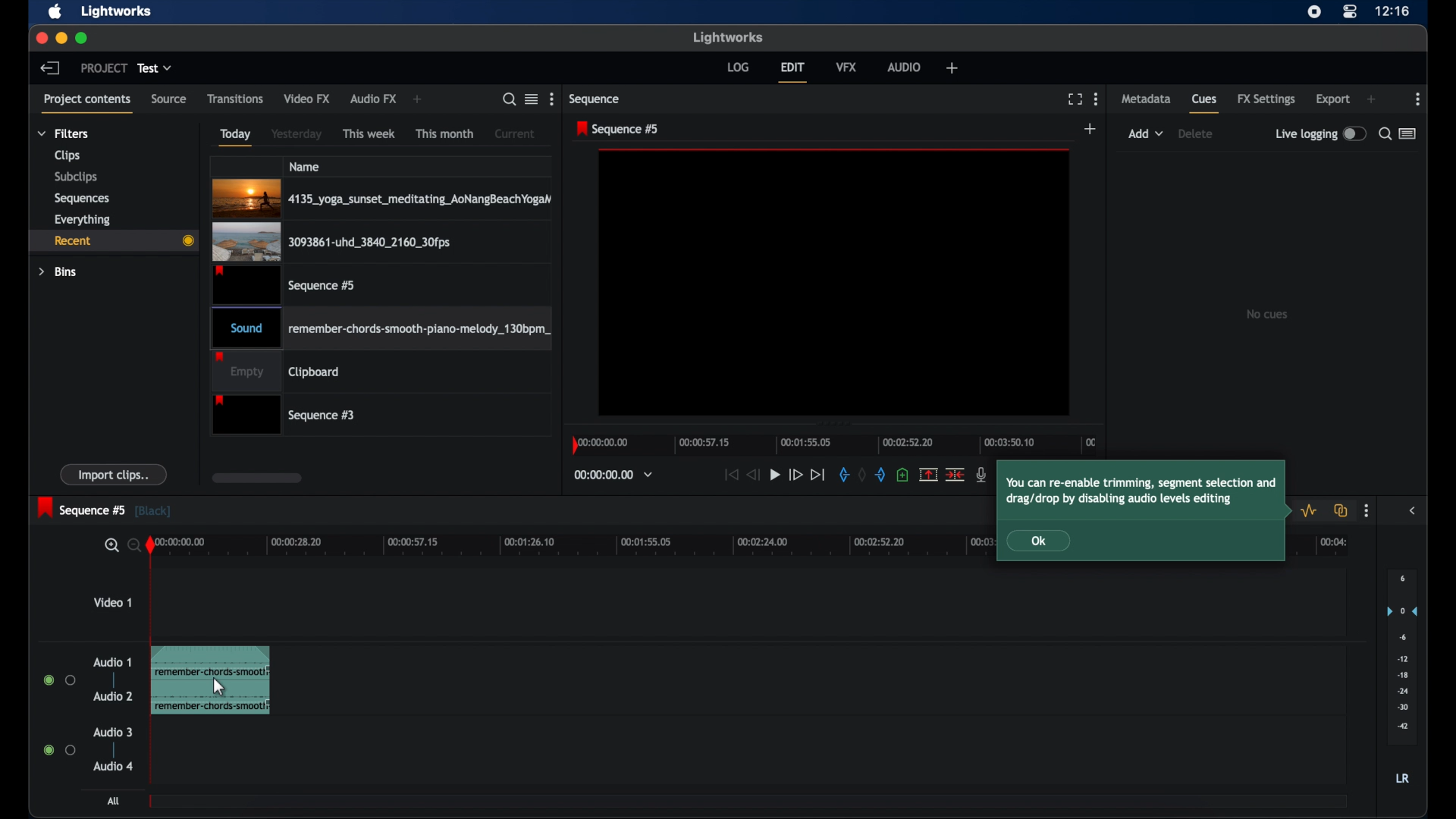 The image size is (1456, 819). What do you see at coordinates (276, 372) in the screenshot?
I see `clipboard` at bounding box center [276, 372].